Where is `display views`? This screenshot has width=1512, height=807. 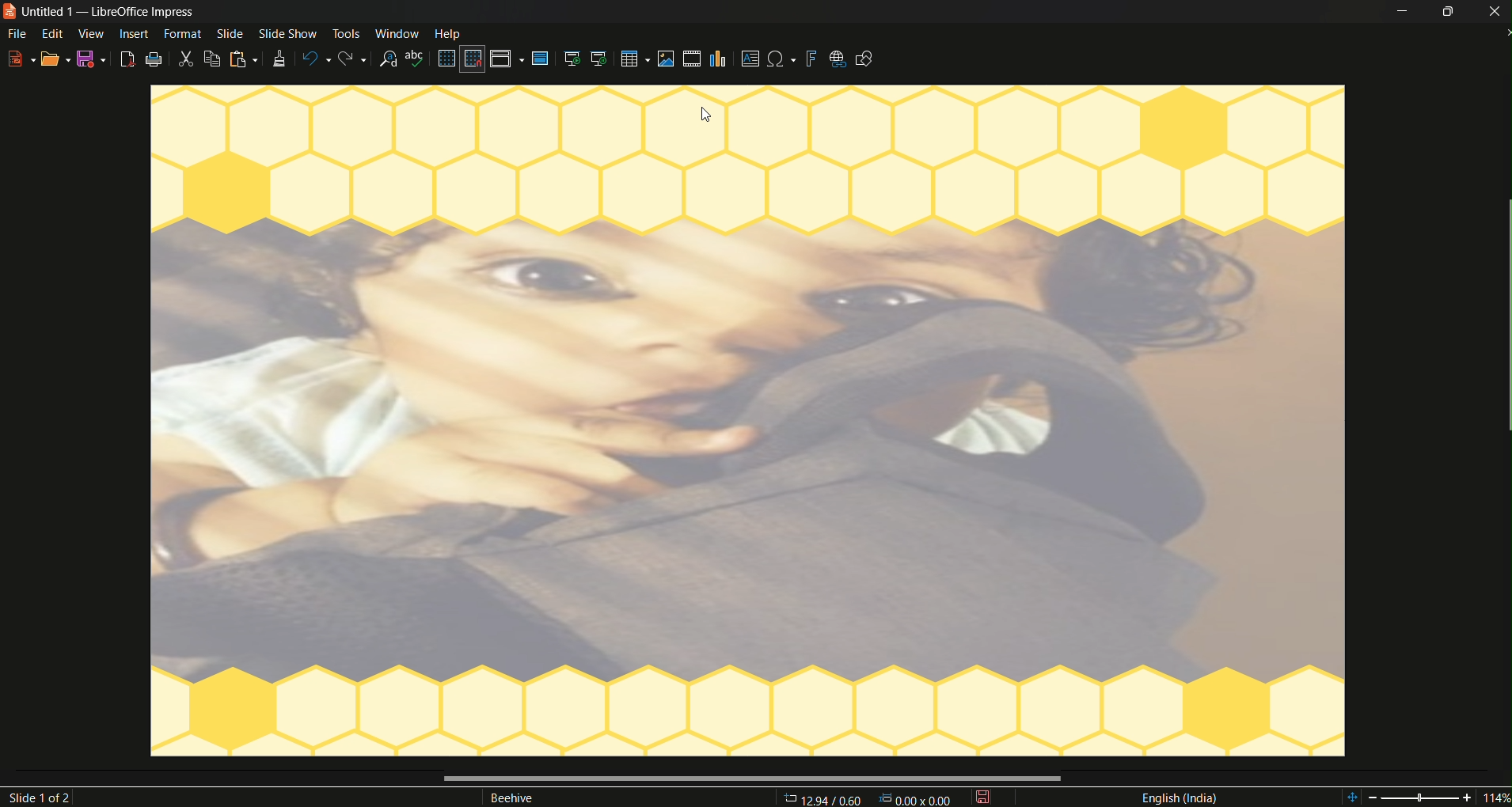
display views is located at coordinates (508, 59).